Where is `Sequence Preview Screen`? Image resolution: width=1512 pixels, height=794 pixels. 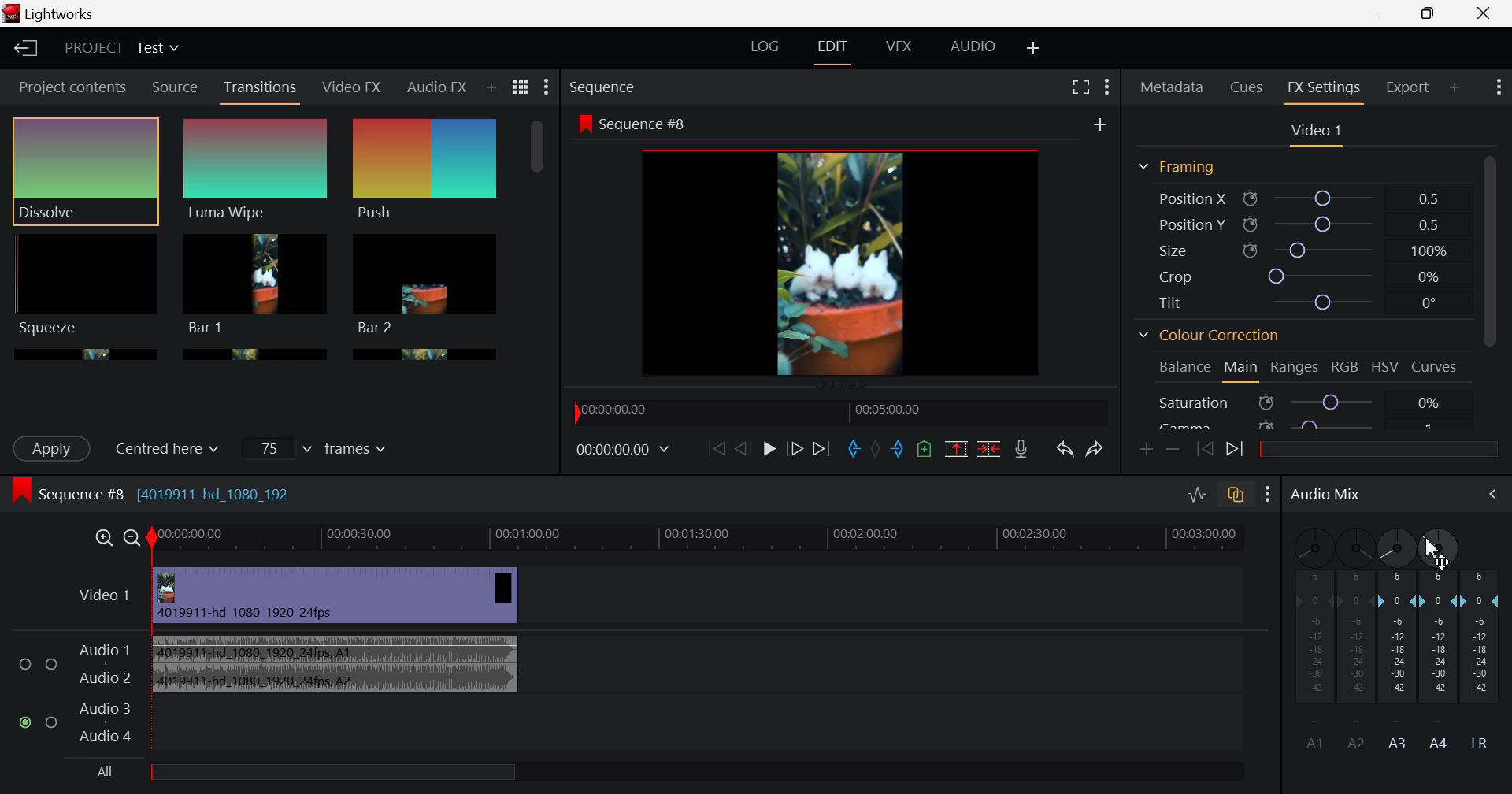
Sequence Preview Screen is located at coordinates (844, 247).